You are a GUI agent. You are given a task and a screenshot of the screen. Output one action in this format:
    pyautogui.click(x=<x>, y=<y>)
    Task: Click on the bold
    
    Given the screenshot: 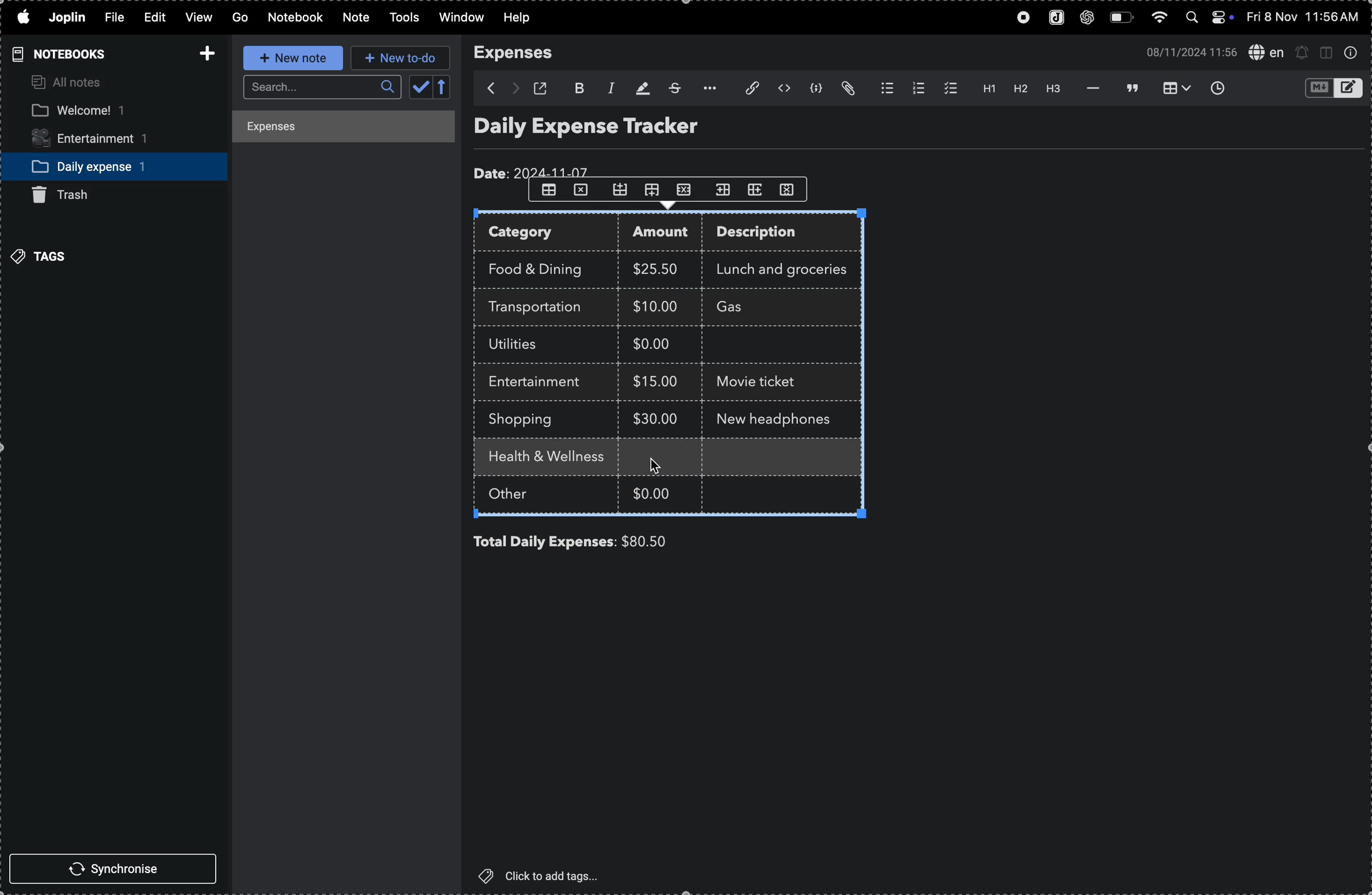 What is the action you would take?
    pyautogui.click(x=578, y=87)
    